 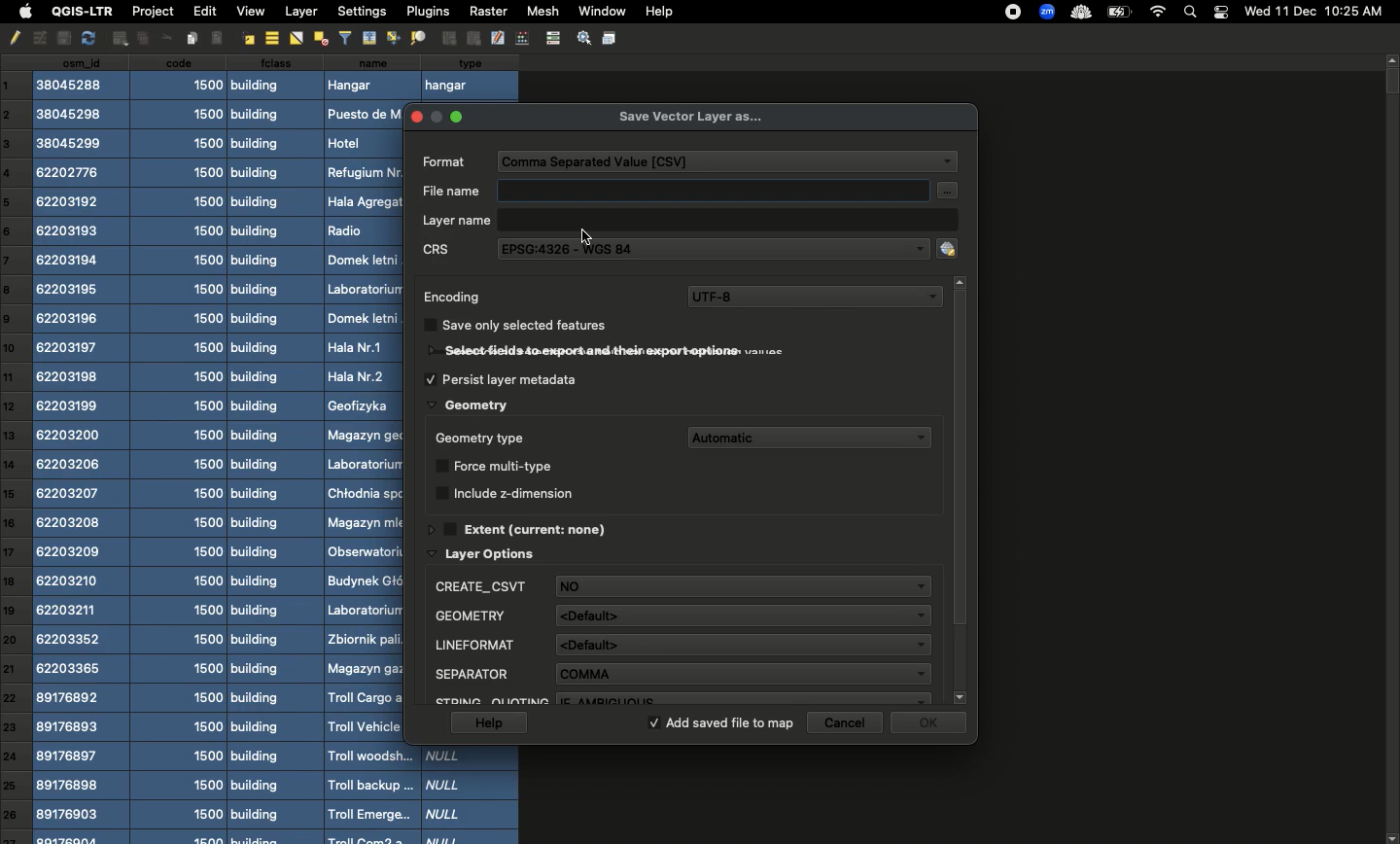 What do you see at coordinates (444, 159) in the screenshot?
I see `format` at bounding box center [444, 159].